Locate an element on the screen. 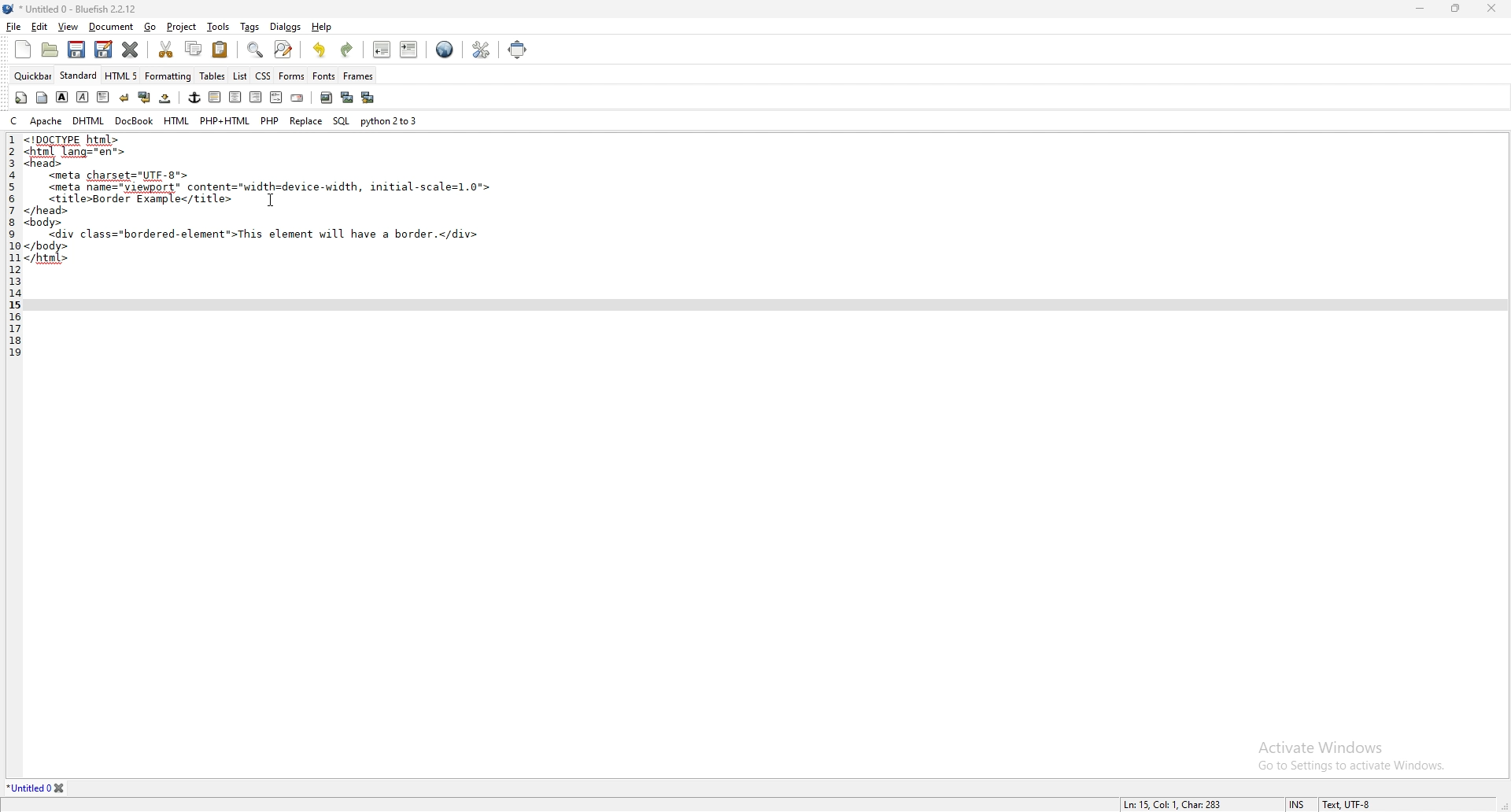 The height and width of the screenshot is (812, 1511). tables is located at coordinates (213, 76).